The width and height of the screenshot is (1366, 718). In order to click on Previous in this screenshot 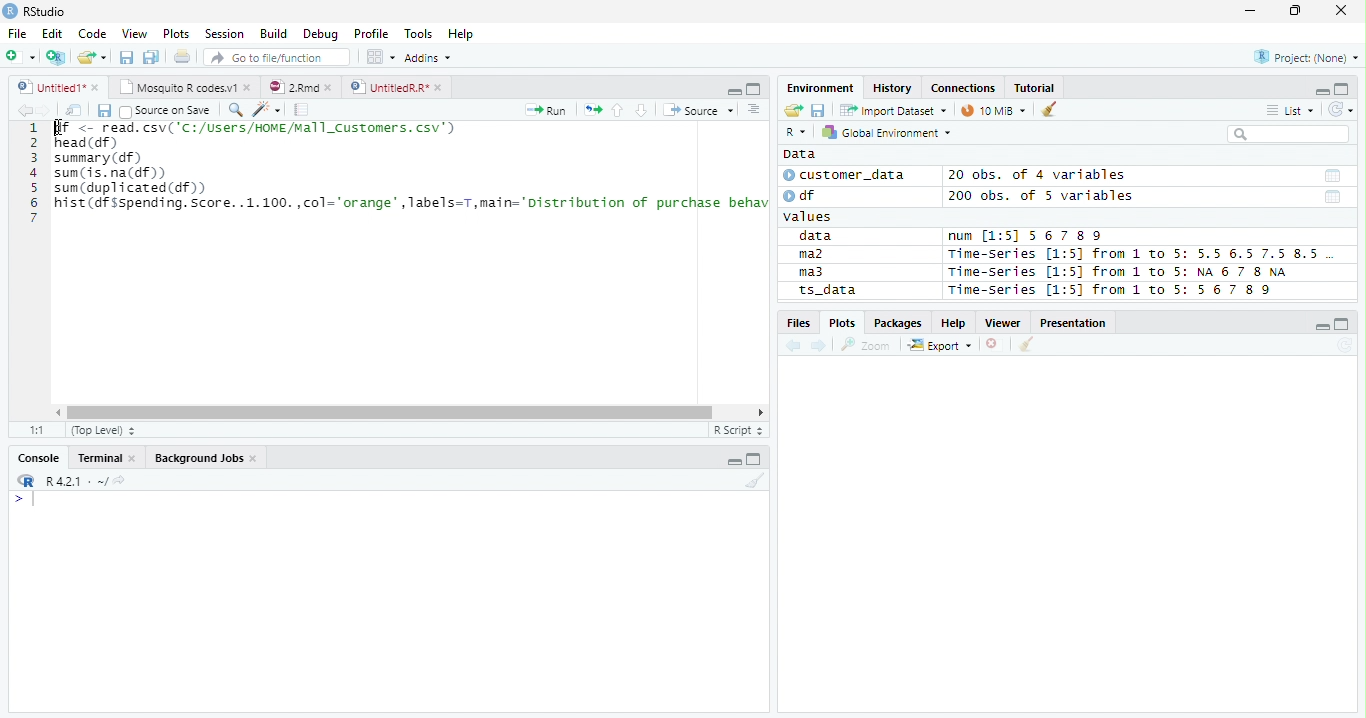, I will do `click(22, 110)`.